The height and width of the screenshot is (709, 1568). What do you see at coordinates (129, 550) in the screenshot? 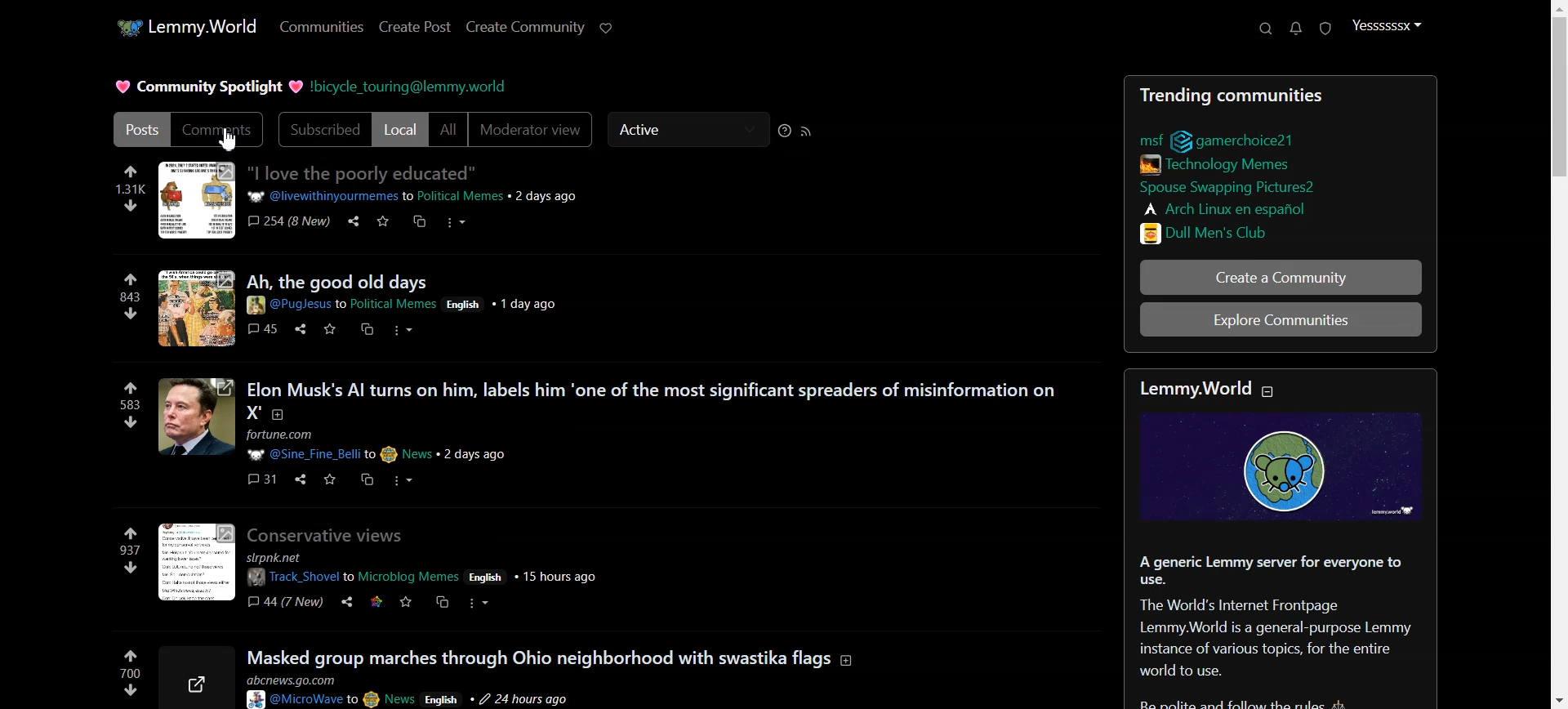
I see `337` at bounding box center [129, 550].